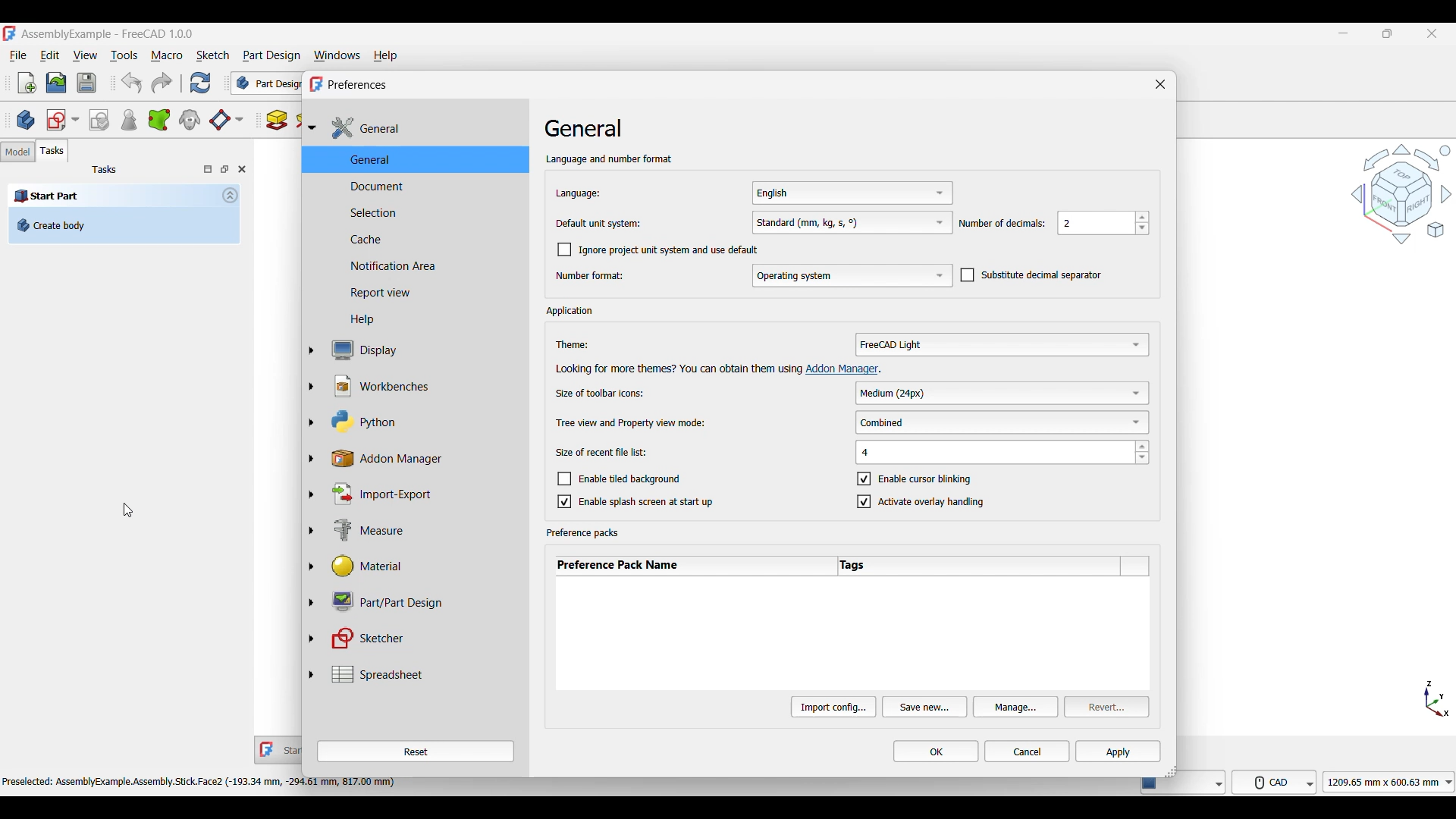 The width and height of the screenshot is (1456, 819). Describe the element at coordinates (1002, 224) in the screenshot. I see `Number of decimals` at that location.